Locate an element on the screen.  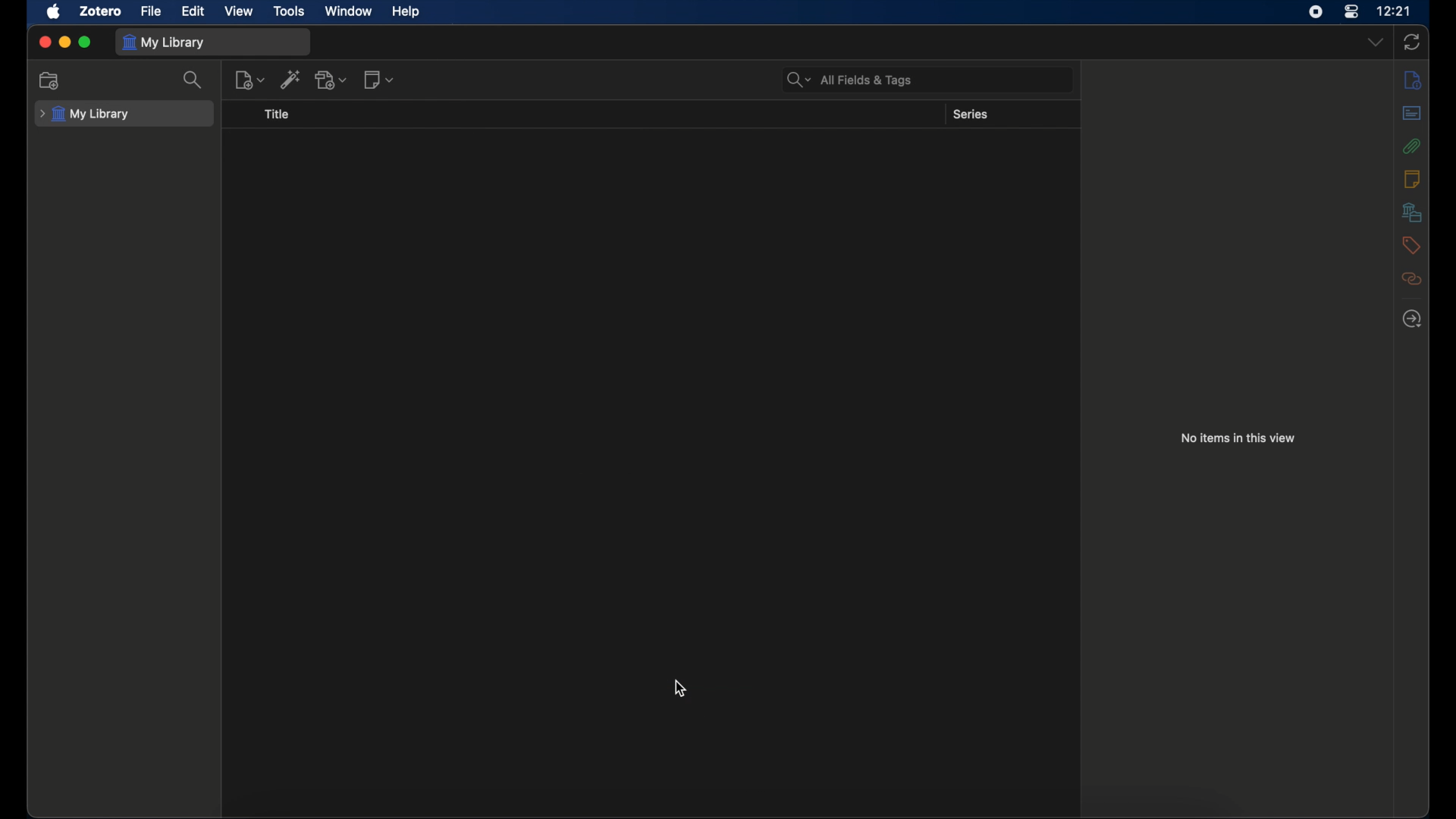
close is located at coordinates (45, 42).